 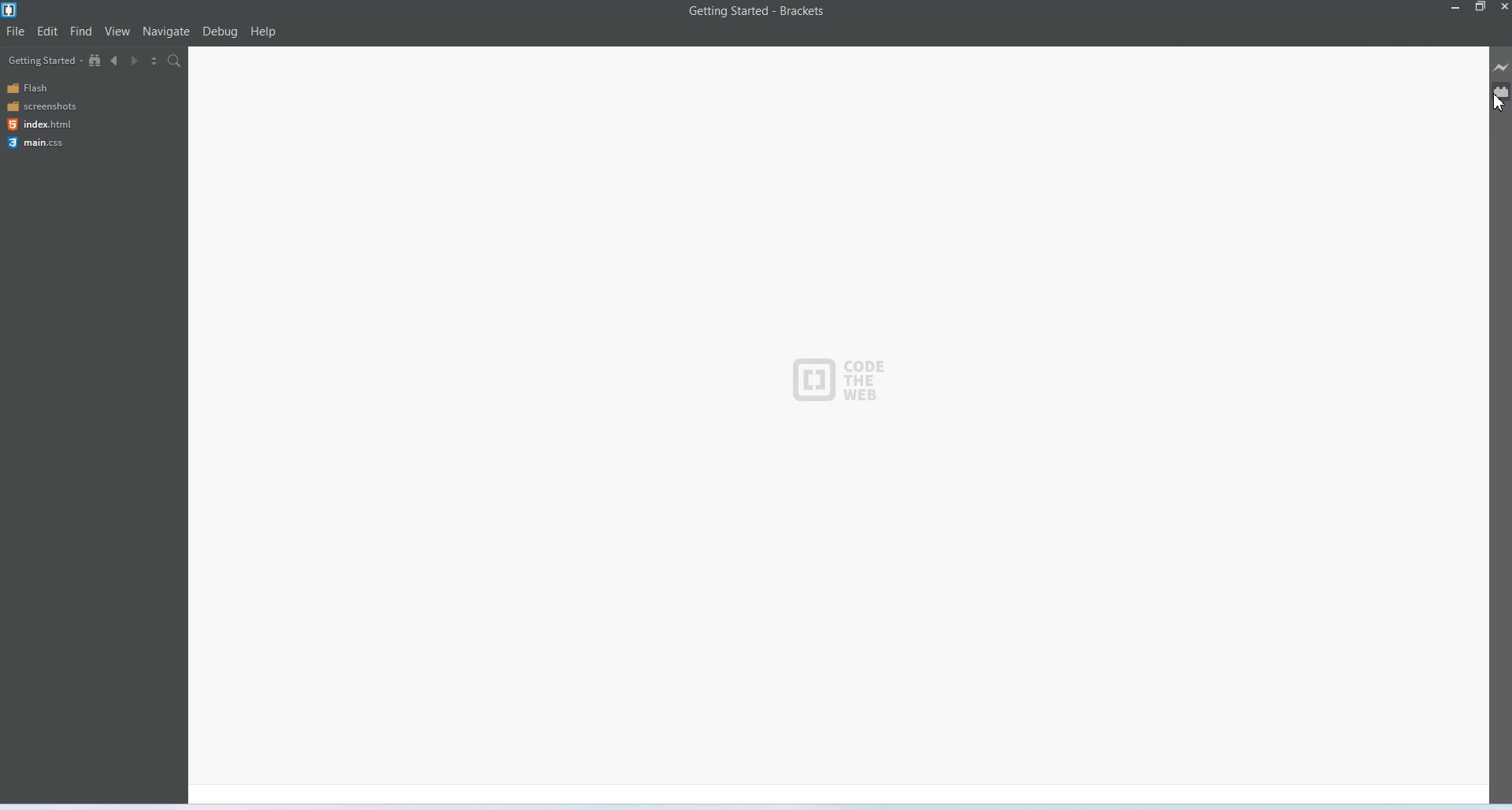 I want to click on File, so click(x=15, y=32).